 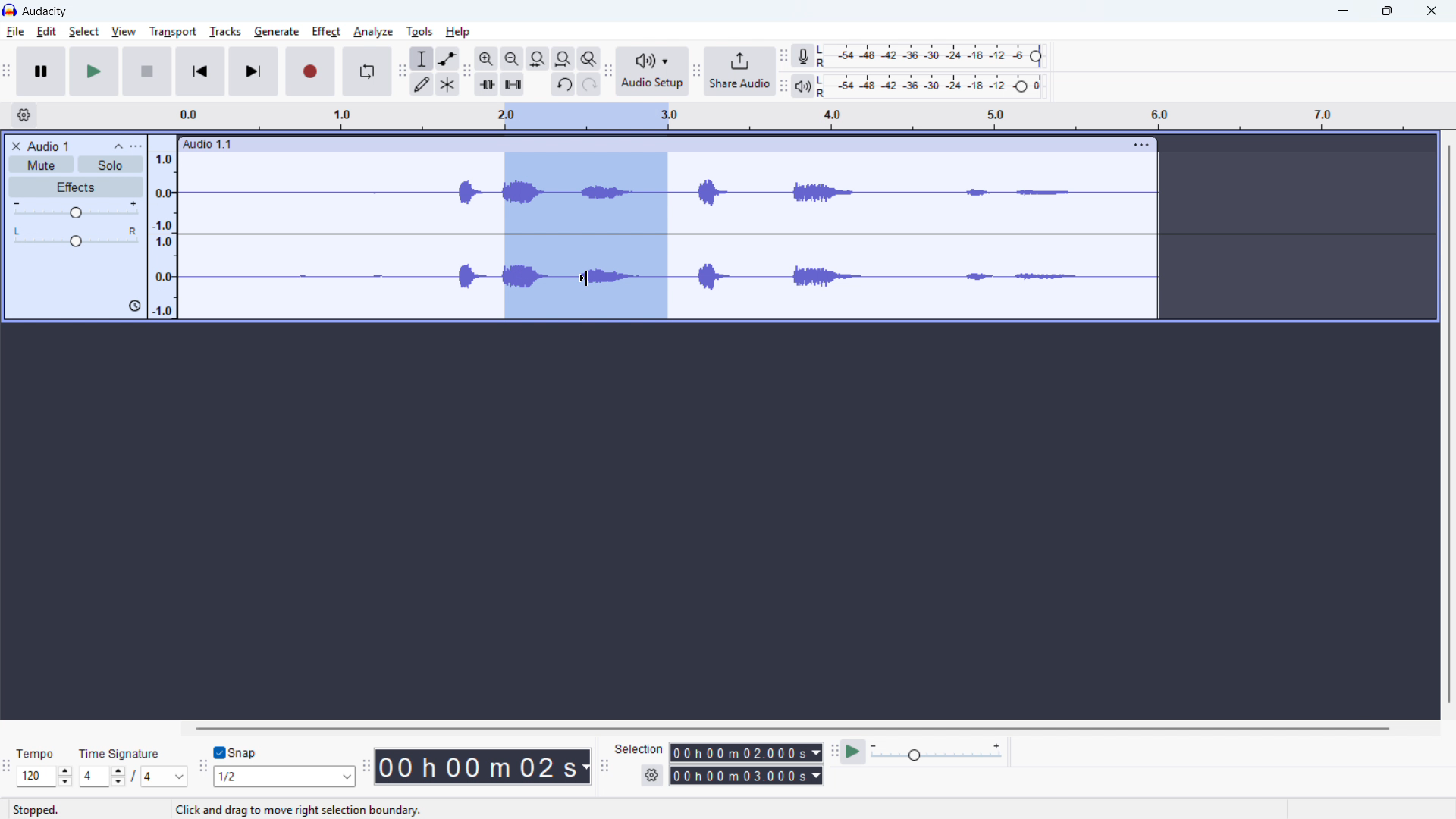 What do you see at coordinates (854, 752) in the screenshot?
I see `Play at speed ` at bounding box center [854, 752].